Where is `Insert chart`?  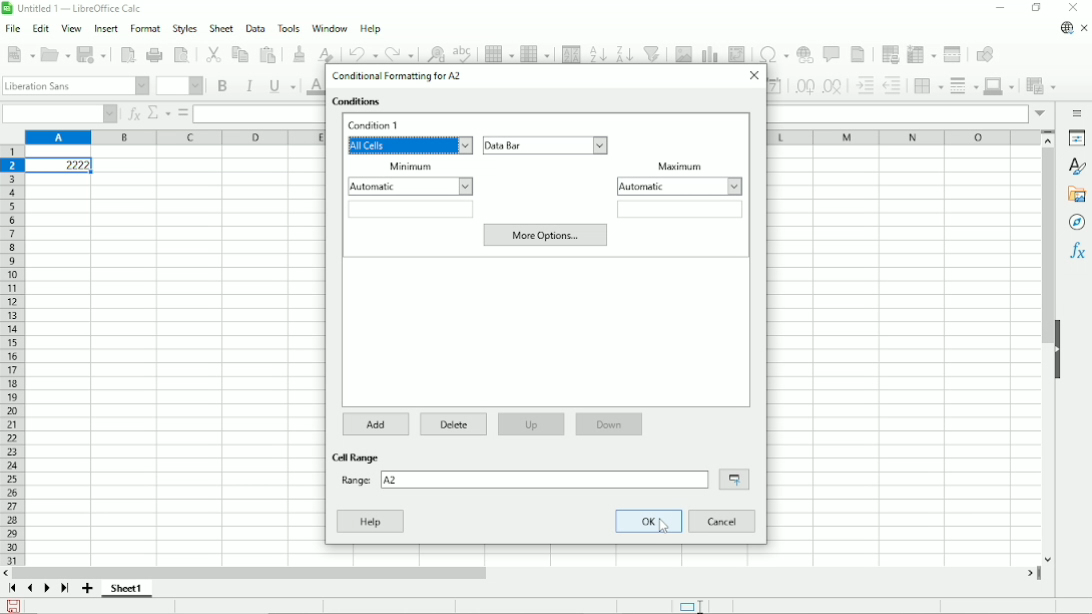
Insert chart is located at coordinates (710, 53).